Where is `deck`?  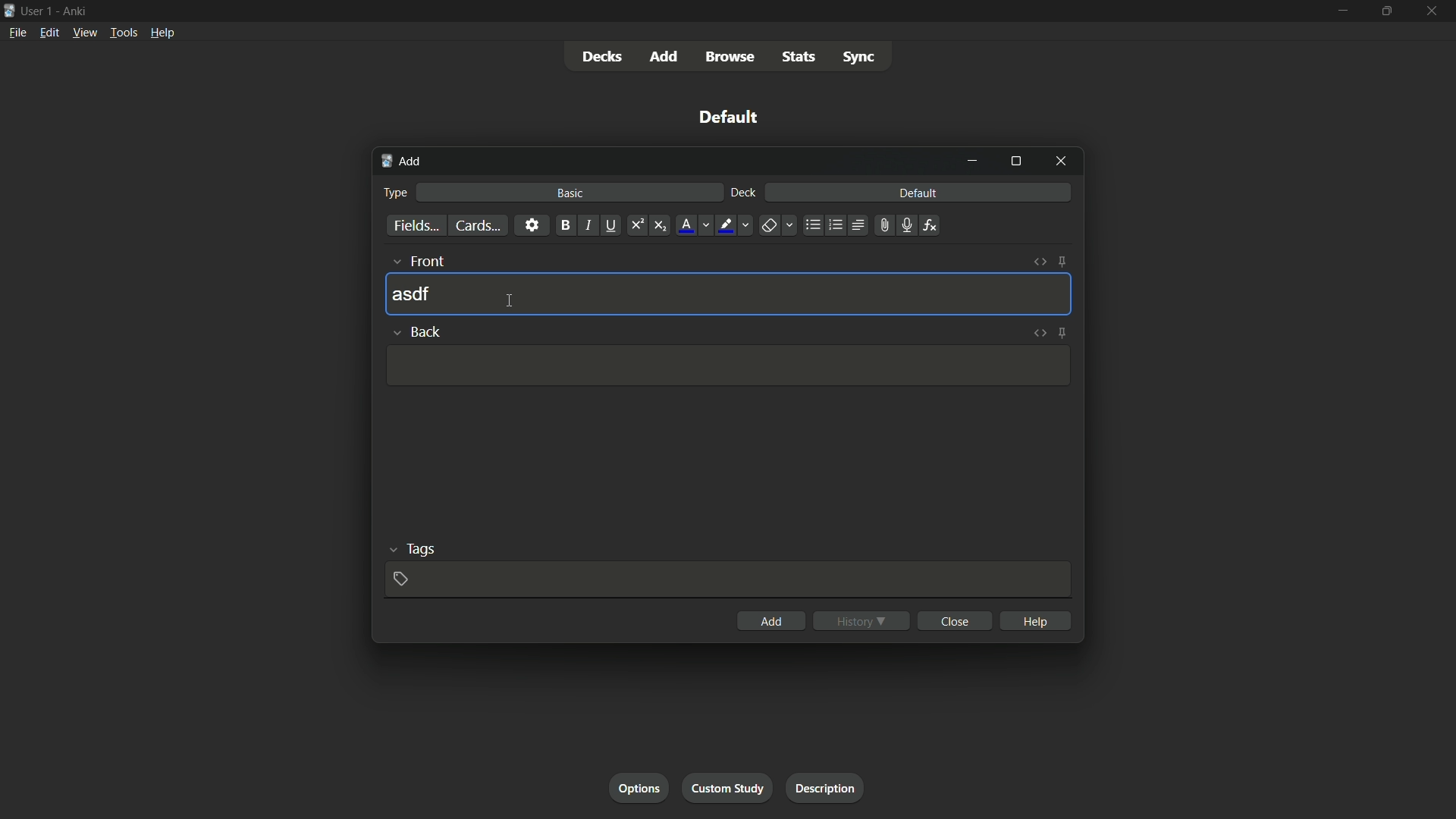
deck is located at coordinates (744, 193).